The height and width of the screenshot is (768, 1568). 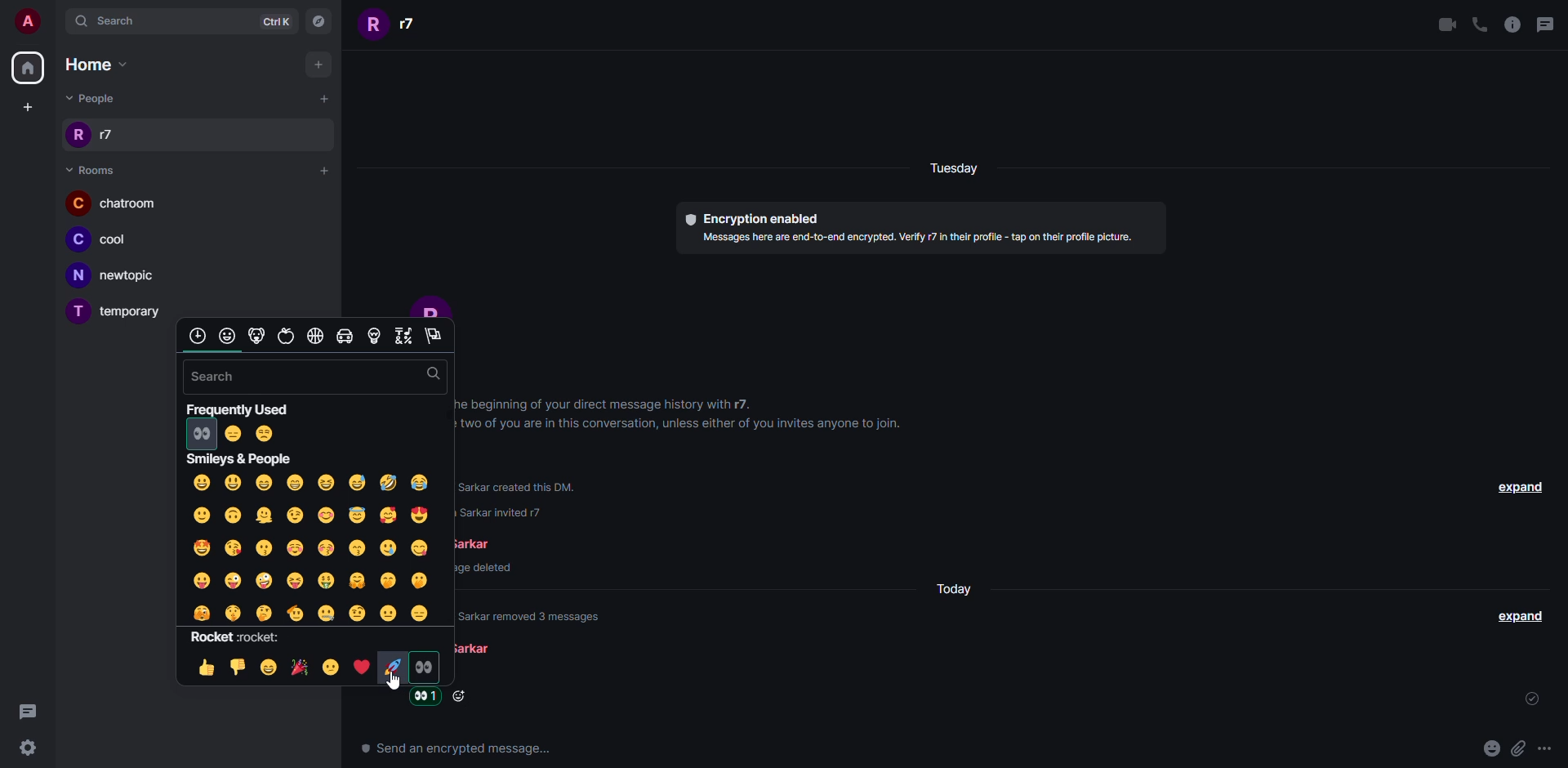 I want to click on emoji, so click(x=301, y=668).